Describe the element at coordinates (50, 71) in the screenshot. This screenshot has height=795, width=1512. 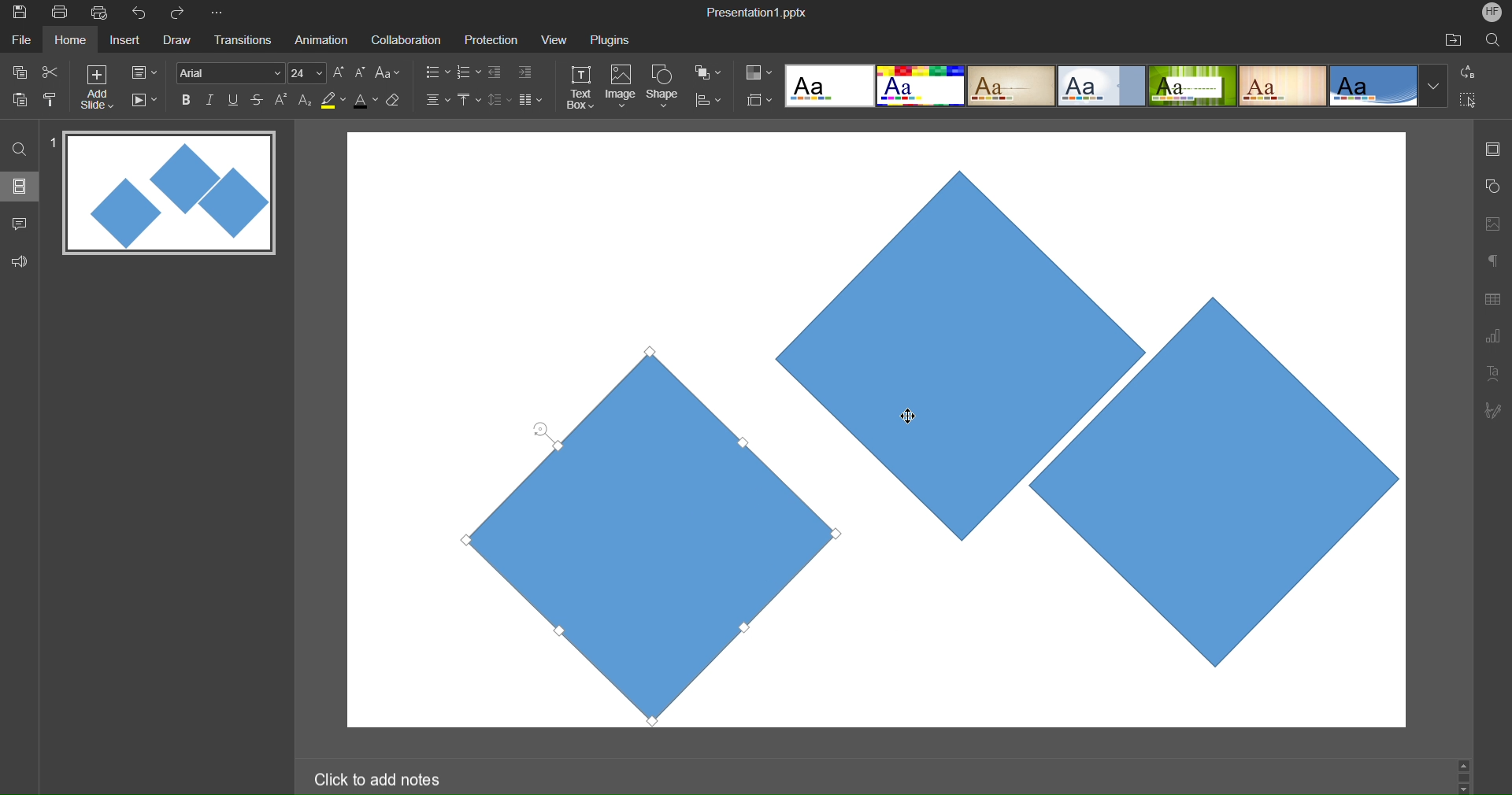
I see `cut` at that location.